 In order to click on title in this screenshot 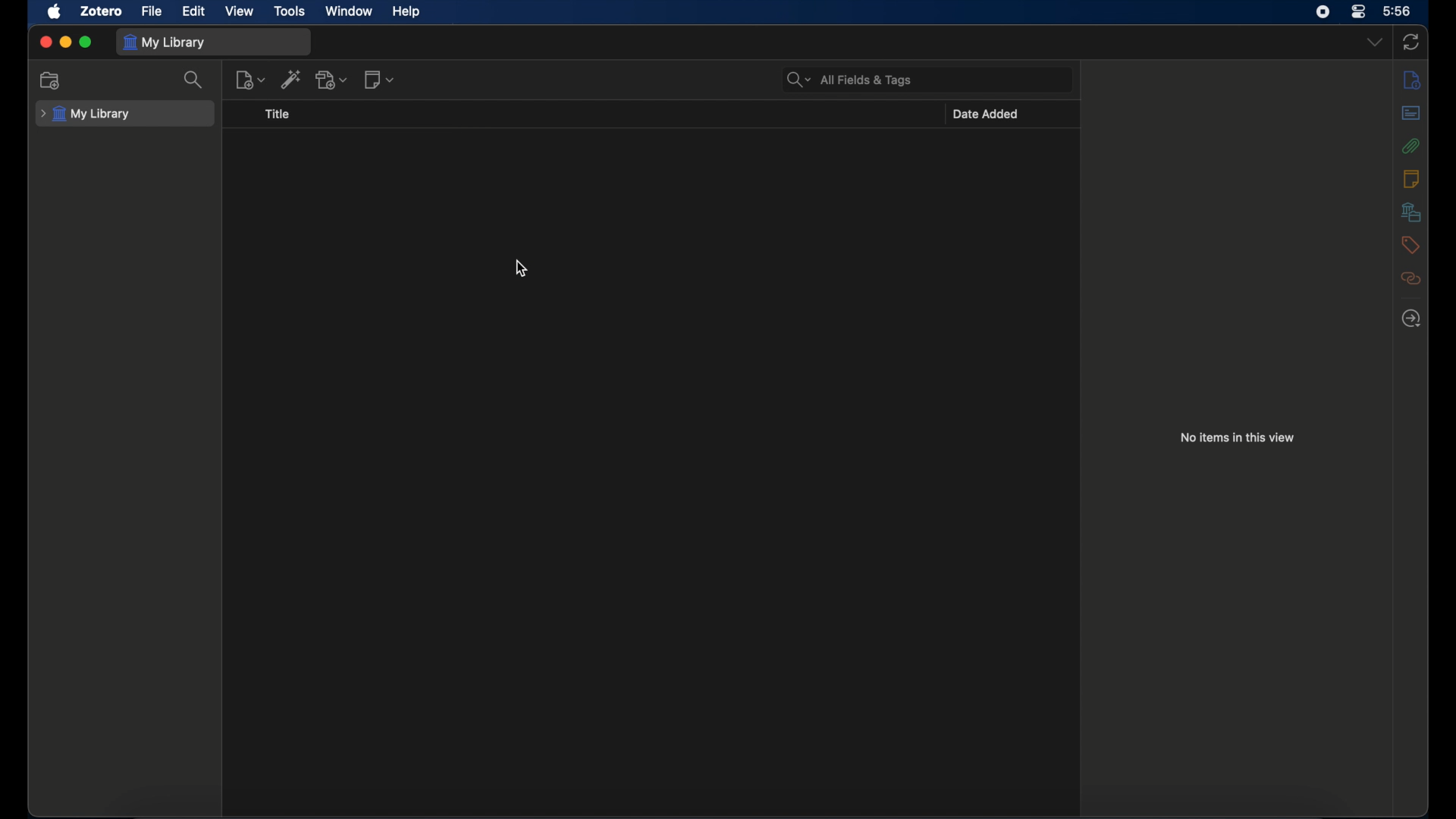, I will do `click(278, 114)`.